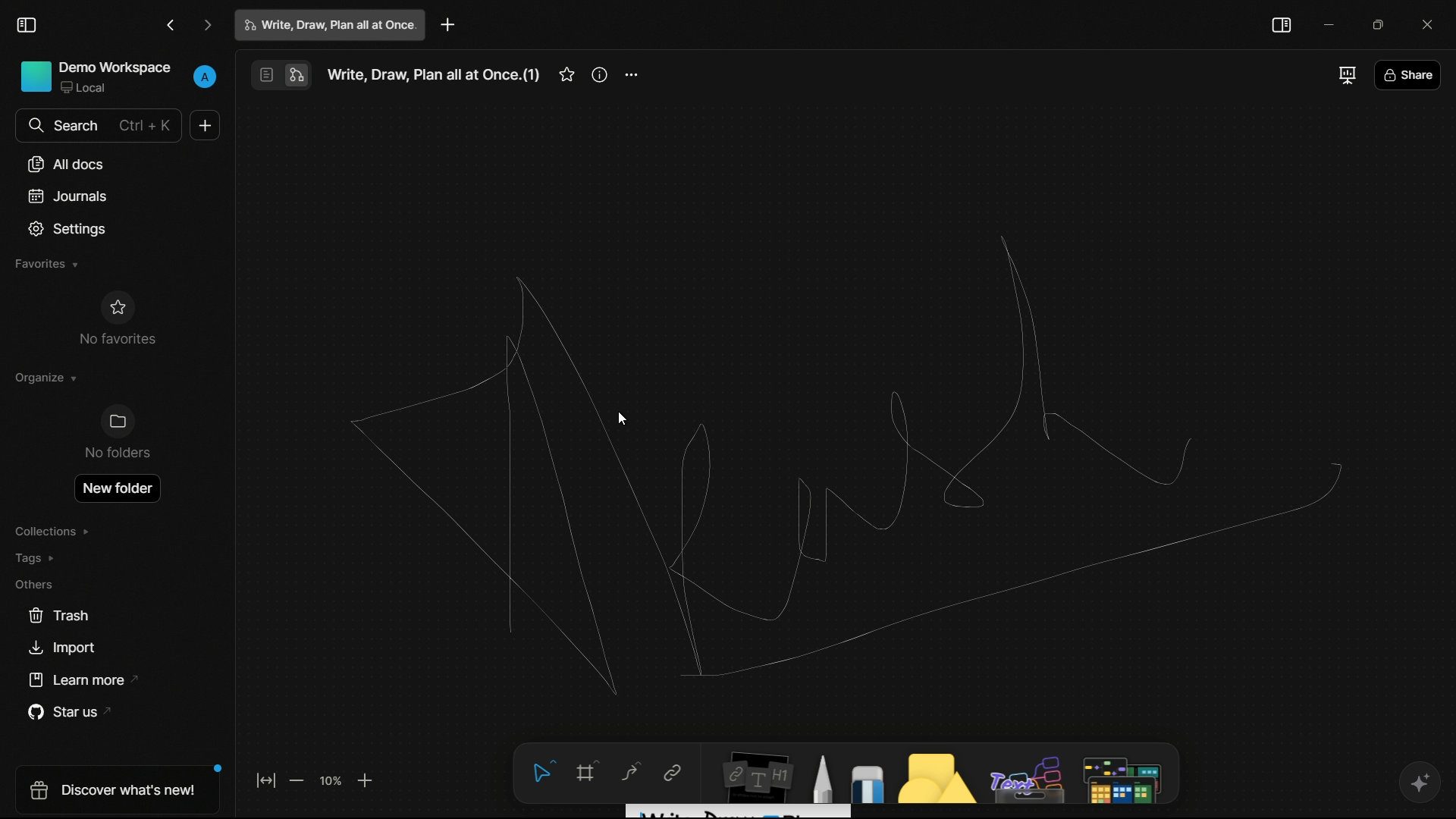 The image size is (1456, 819). Describe the element at coordinates (331, 26) in the screenshot. I see `write, draw, plan all at once` at that location.